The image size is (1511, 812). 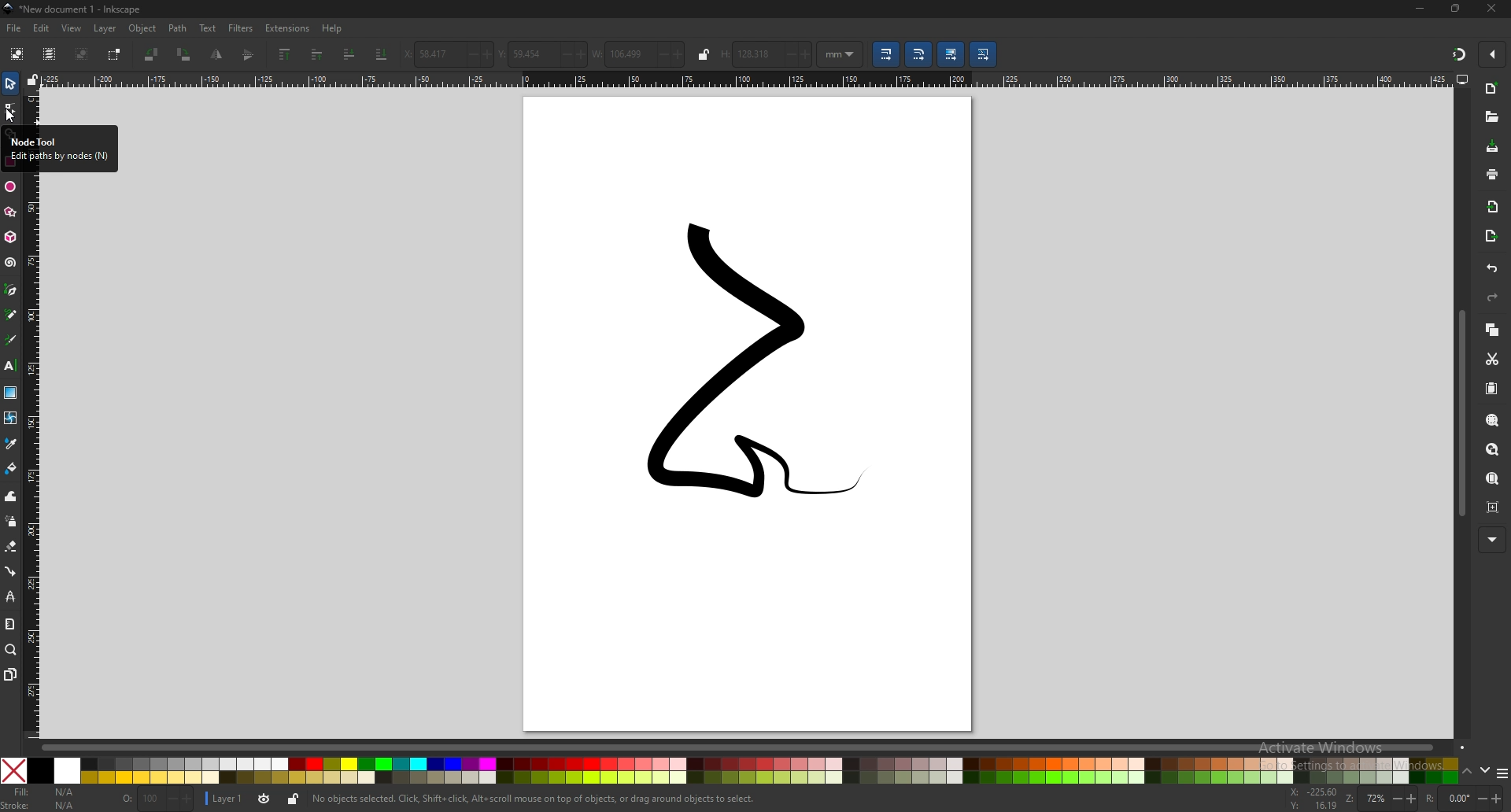 What do you see at coordinates (11, 547) in the screenshot?
I see `erase` at bounding box center [11, 547].